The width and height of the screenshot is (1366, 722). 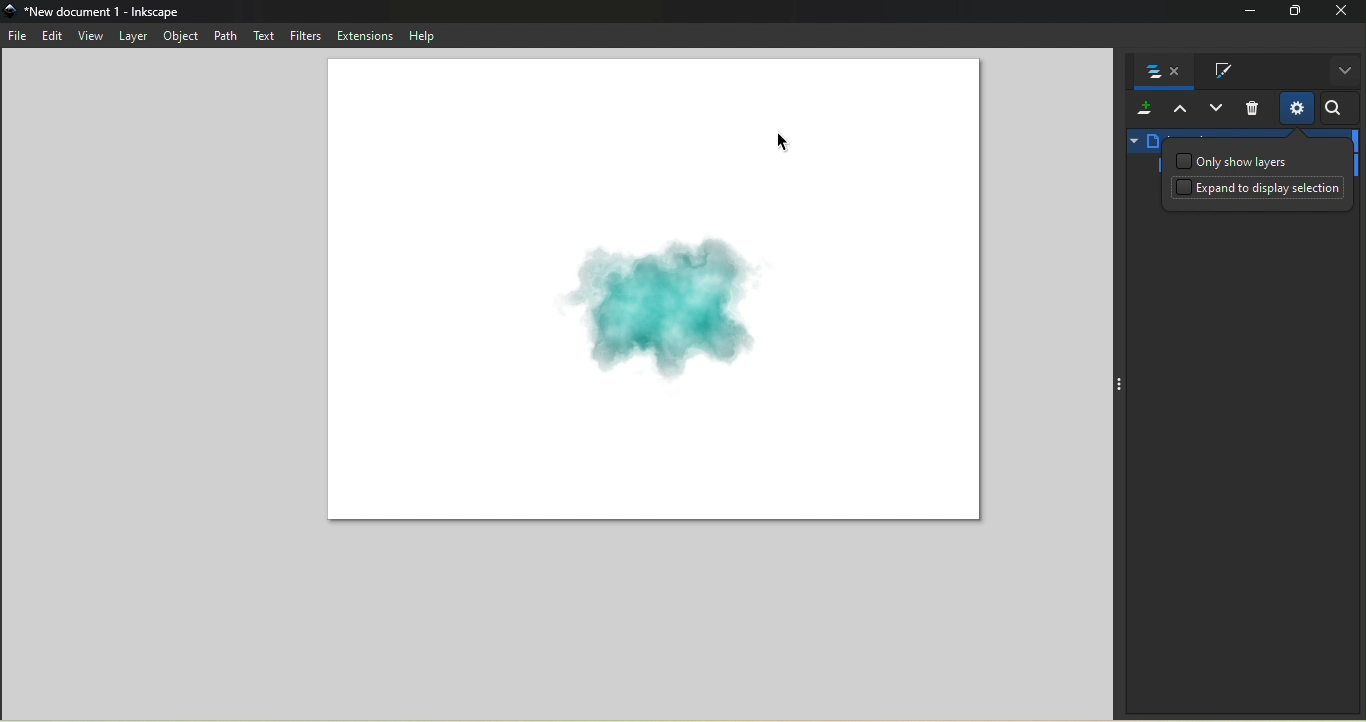 What do you see at coordinates (90, 35) in the screenshot?
I see `View` at bounding box center [90, 35].